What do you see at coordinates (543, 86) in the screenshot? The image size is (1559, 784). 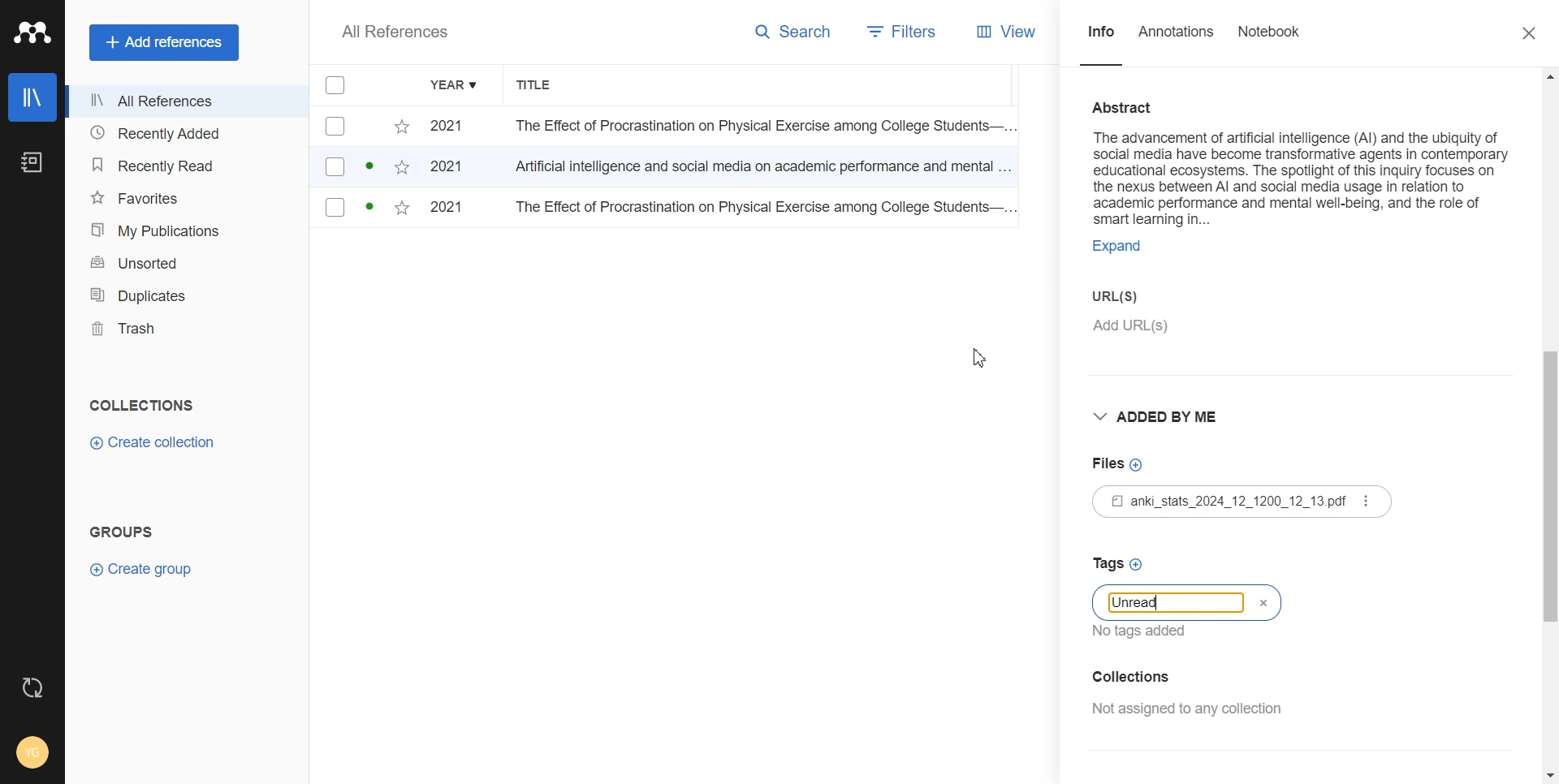 I see `Title` at bounding box center [543, 86].